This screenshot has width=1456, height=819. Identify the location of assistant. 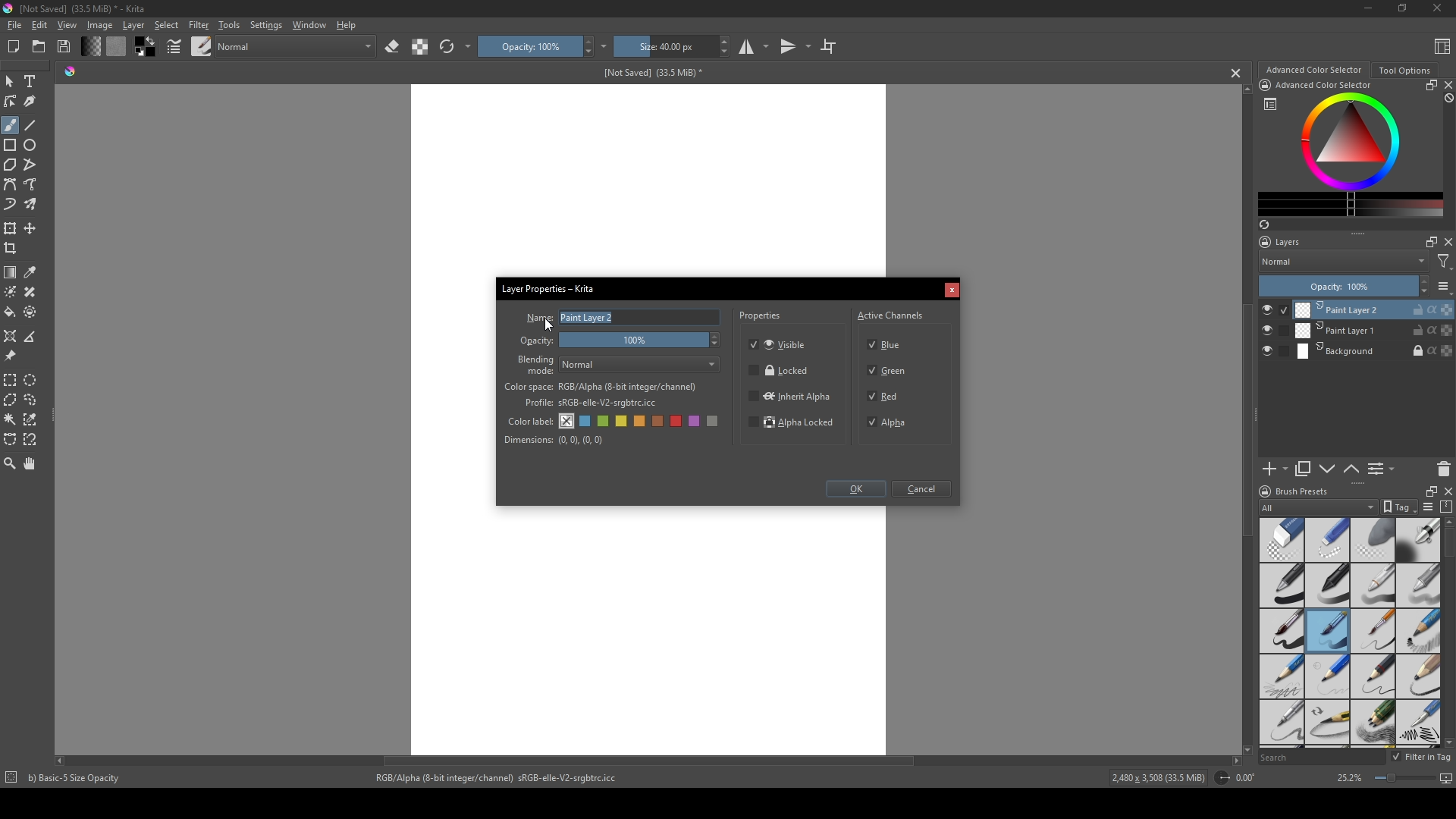
(11, 335).